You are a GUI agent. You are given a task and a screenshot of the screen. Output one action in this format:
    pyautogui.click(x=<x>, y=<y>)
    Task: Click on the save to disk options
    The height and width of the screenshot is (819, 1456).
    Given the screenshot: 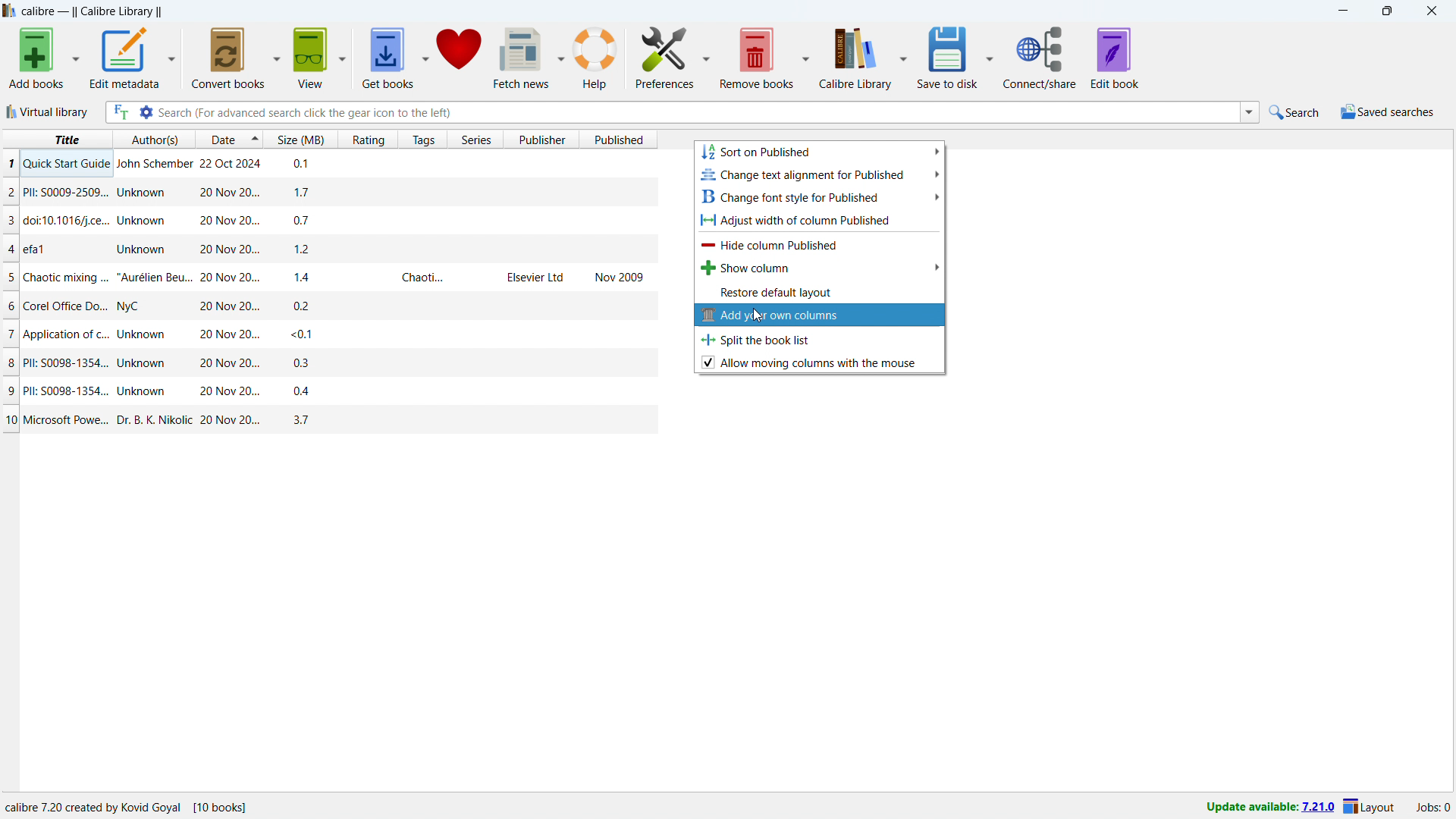 What is the action you would take?
    pyautogui.click(x=991, y=56)
    